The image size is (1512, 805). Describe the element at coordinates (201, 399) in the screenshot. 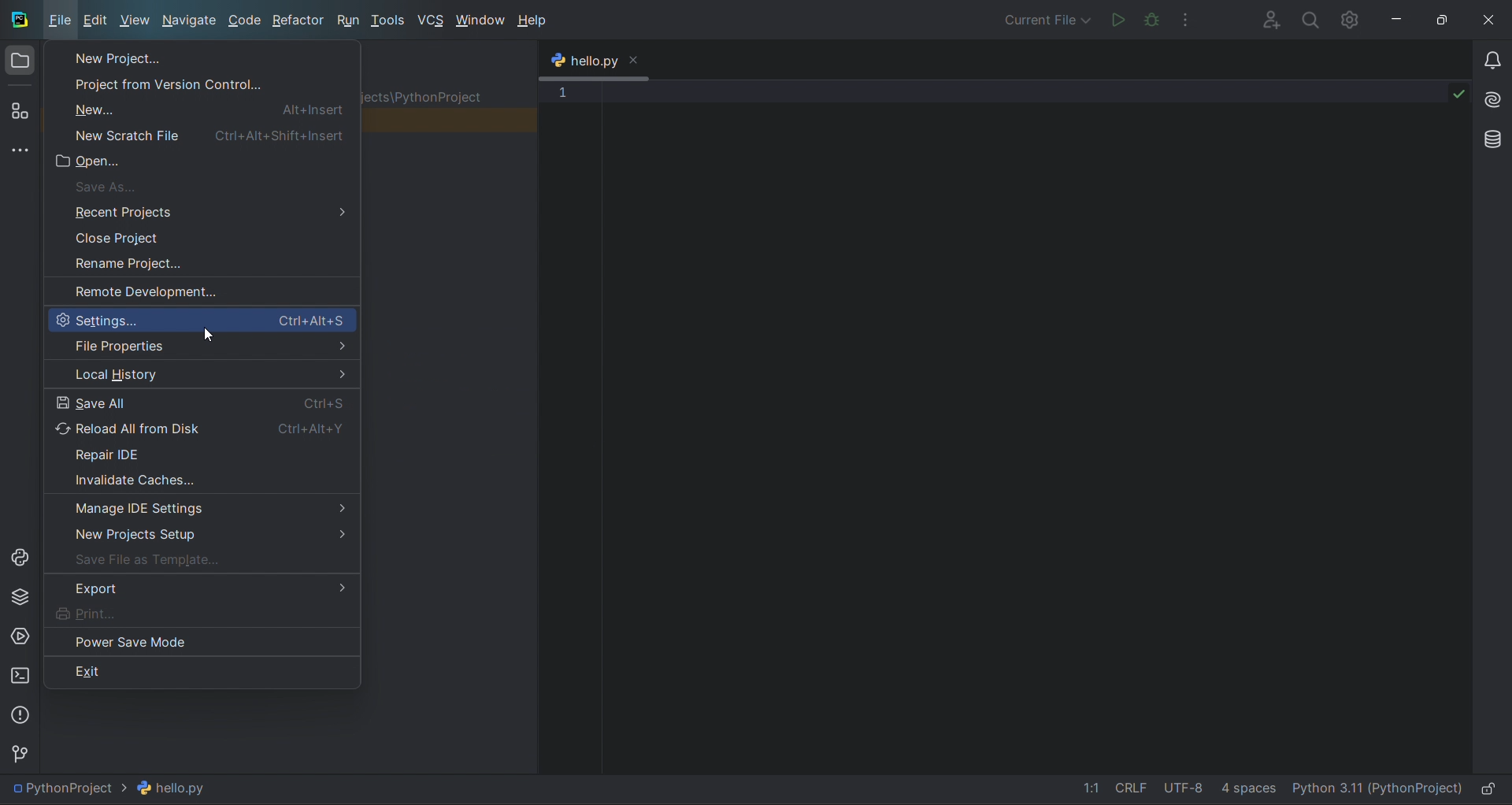

I see `save all` at that location.